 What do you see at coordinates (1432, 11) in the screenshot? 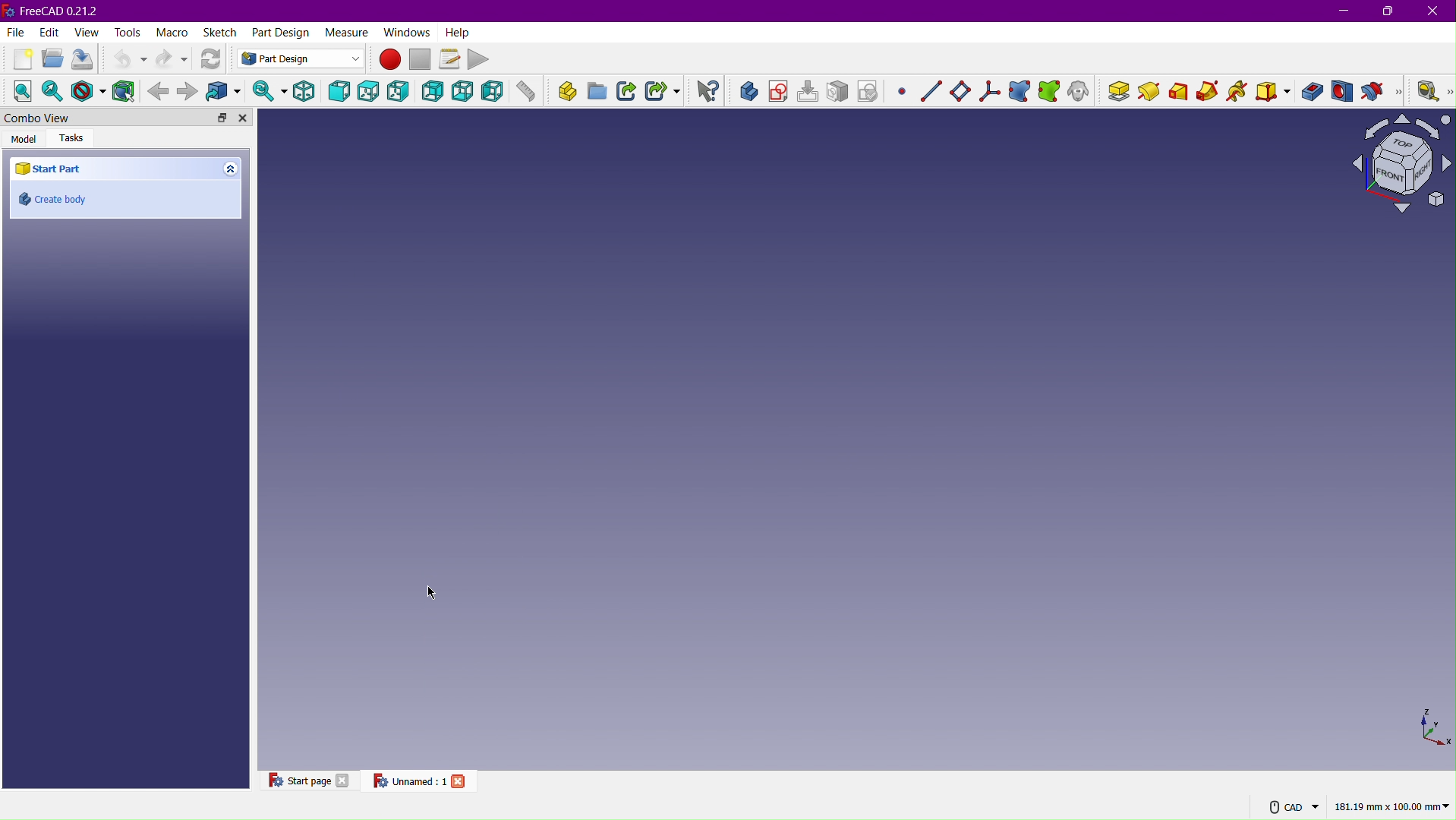
I see `Close` at bounding box center [1432, 11].